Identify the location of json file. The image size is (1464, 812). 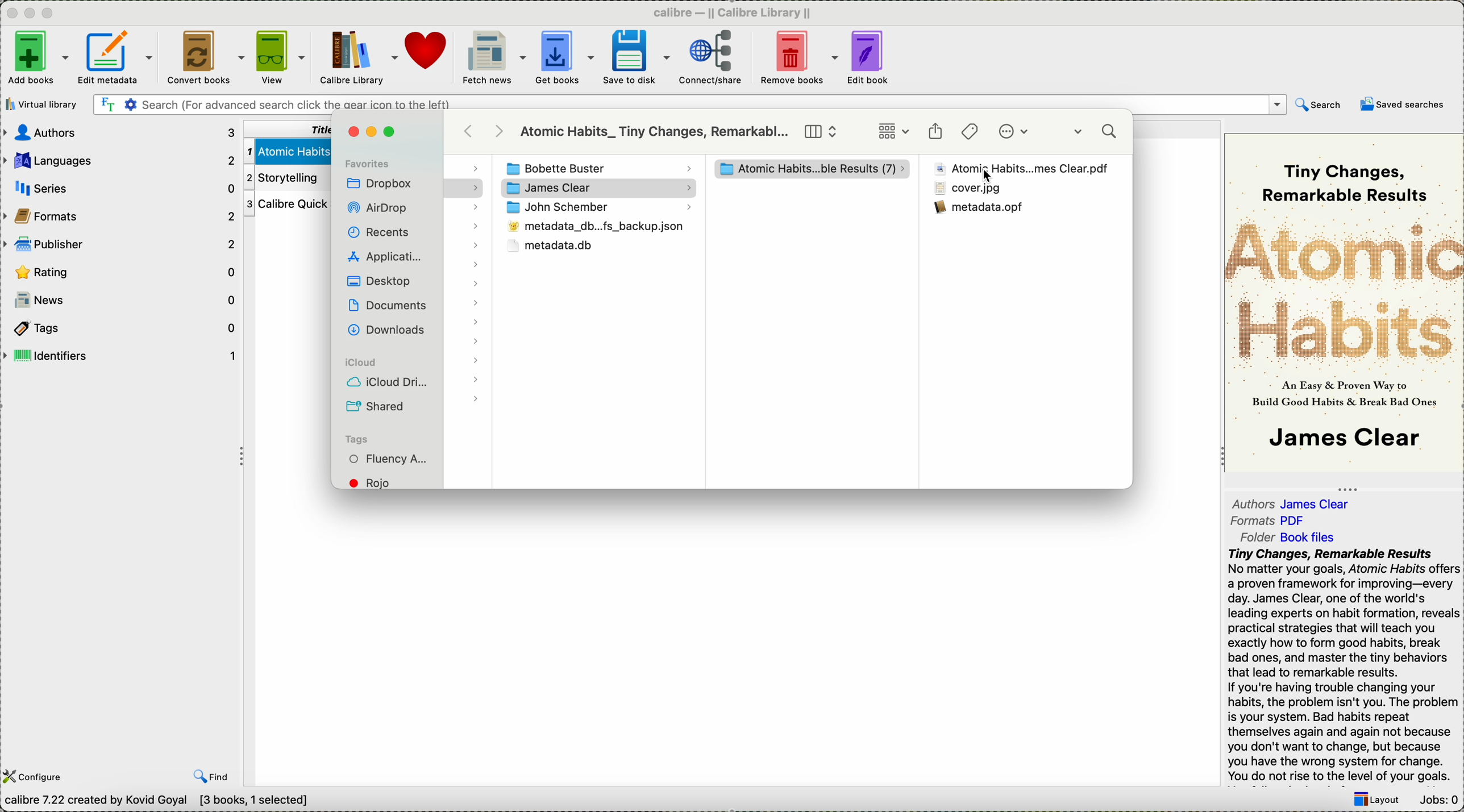
(593, 229).